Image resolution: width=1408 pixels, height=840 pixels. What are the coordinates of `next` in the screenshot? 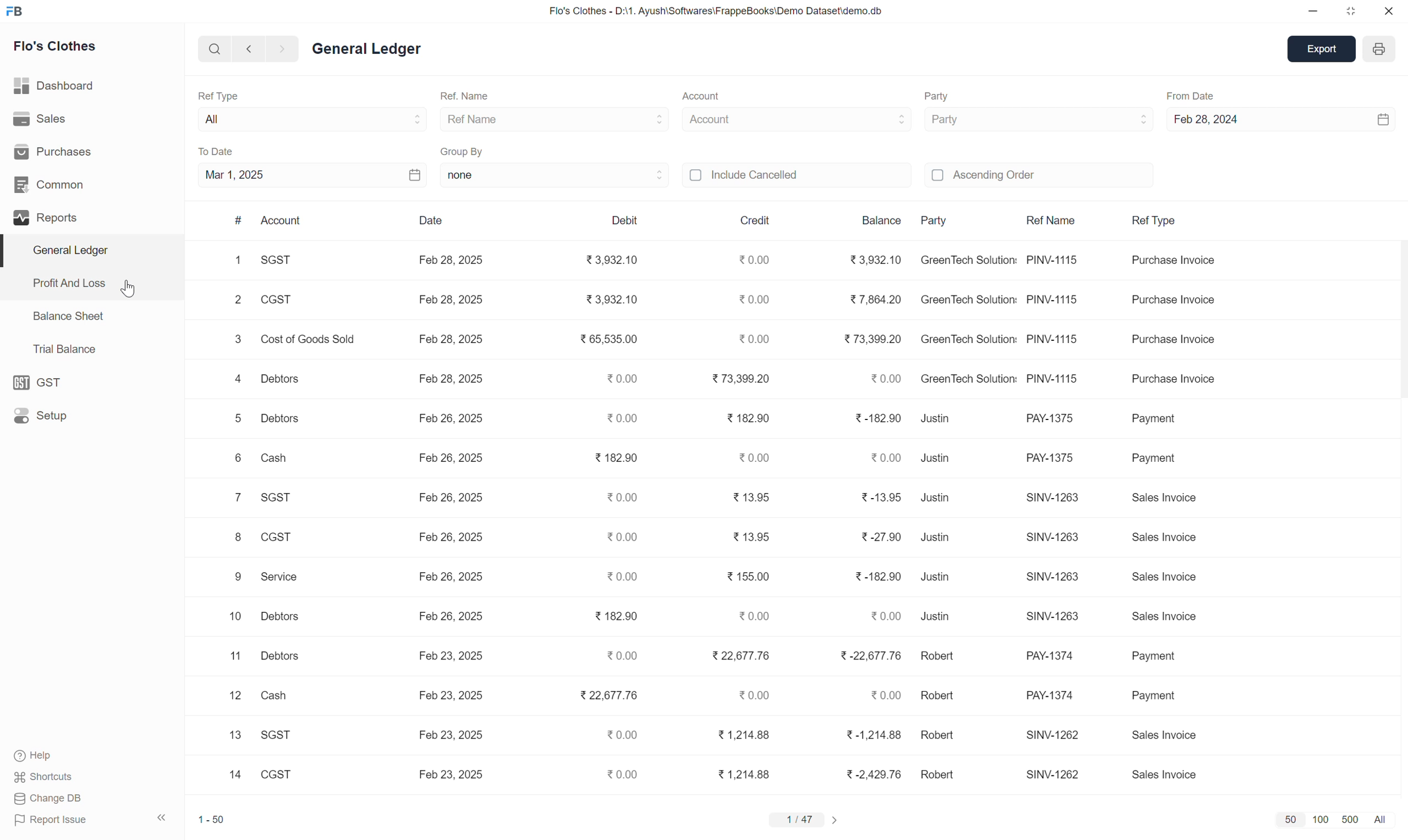 It's located at (286, 49).